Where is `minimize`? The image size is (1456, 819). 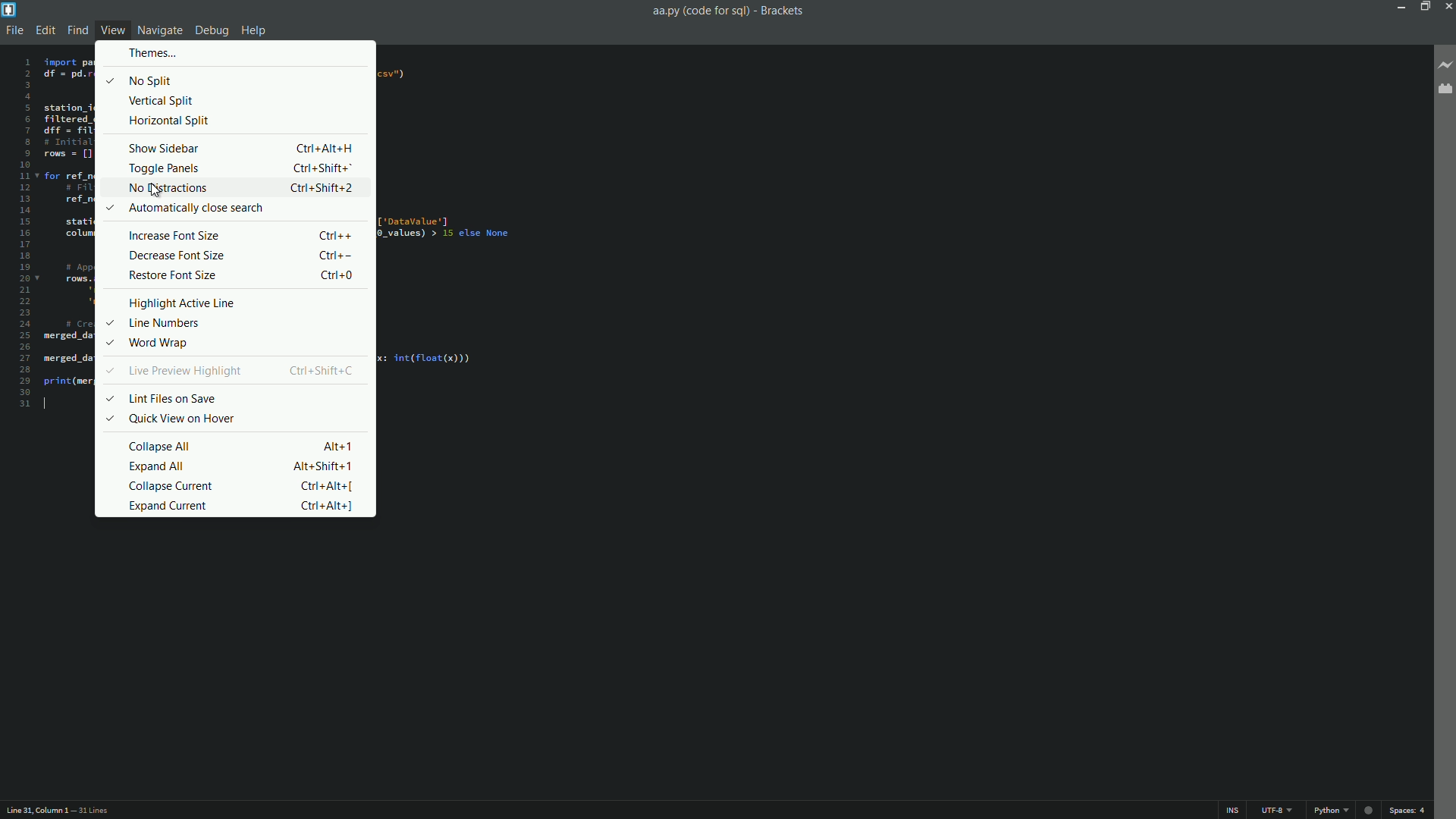 minimize is located at coordinates (1400, 7).